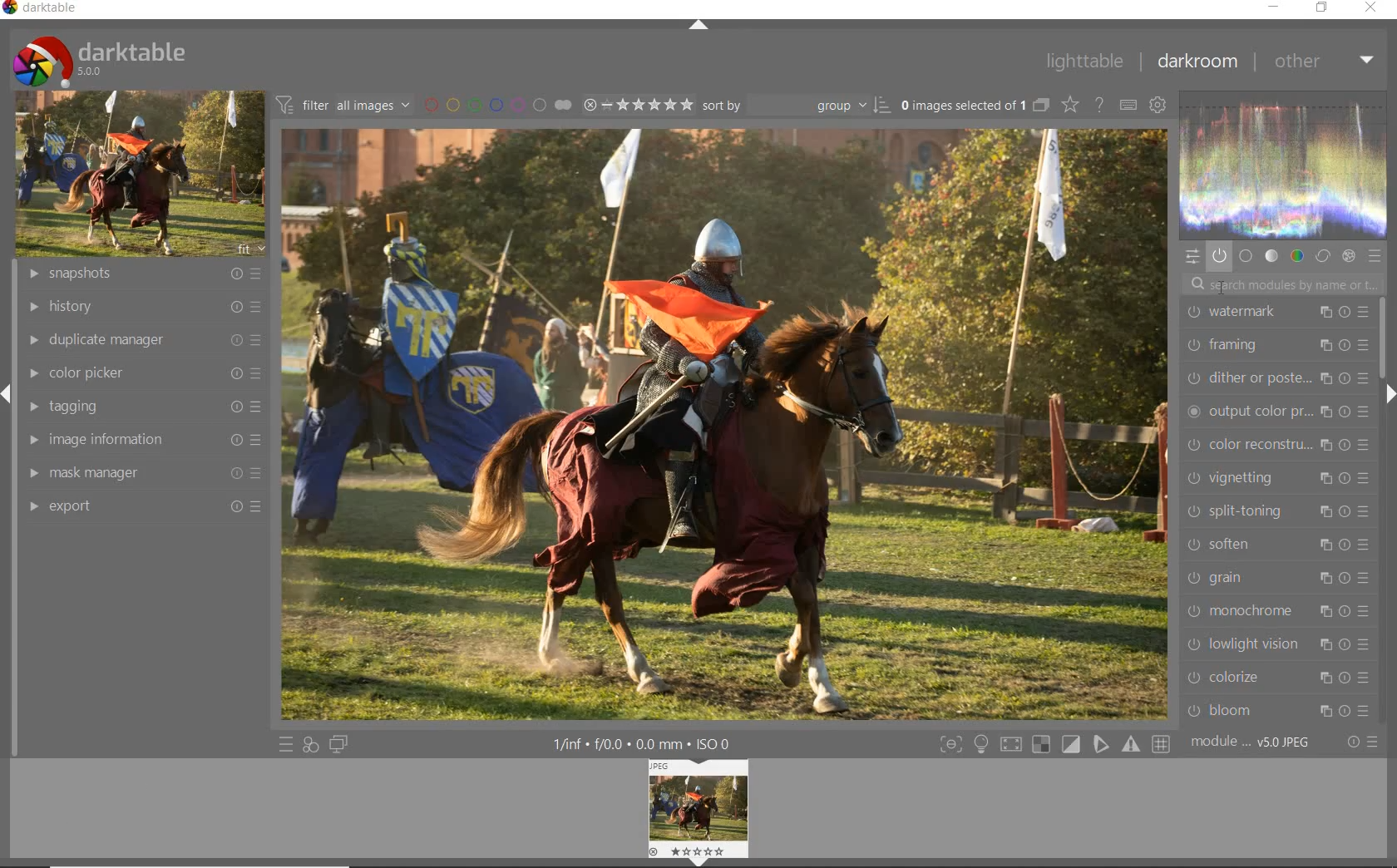 Image resolution: width=1397 pixels, height=868 pixels. What do you see at coordinates (1323, 61) in the screenshot?
I see `other` at bounding box center [1323, 61].